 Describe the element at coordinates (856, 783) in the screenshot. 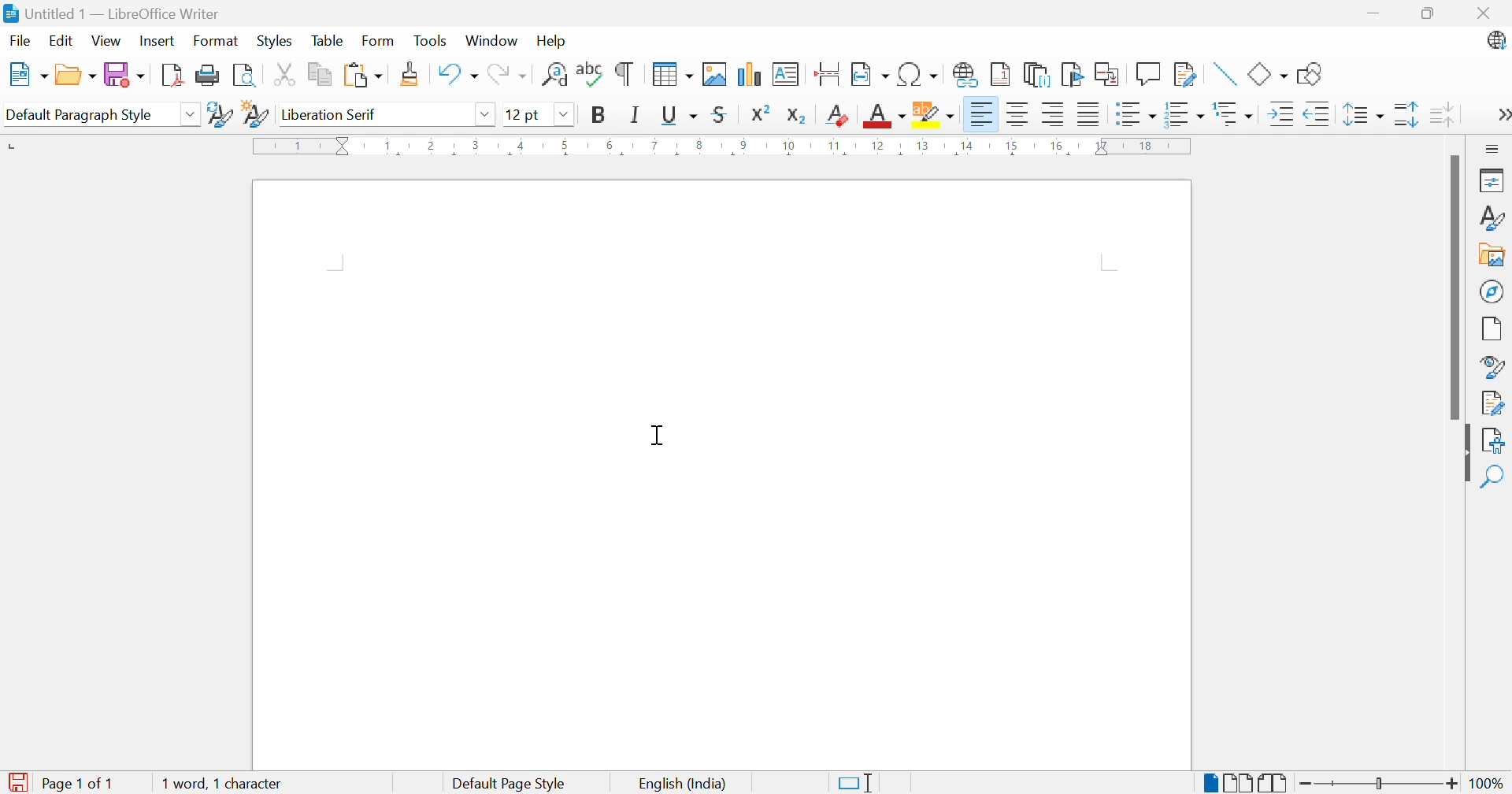

I see `Standard selection. Click to change selection mode.` at that location.